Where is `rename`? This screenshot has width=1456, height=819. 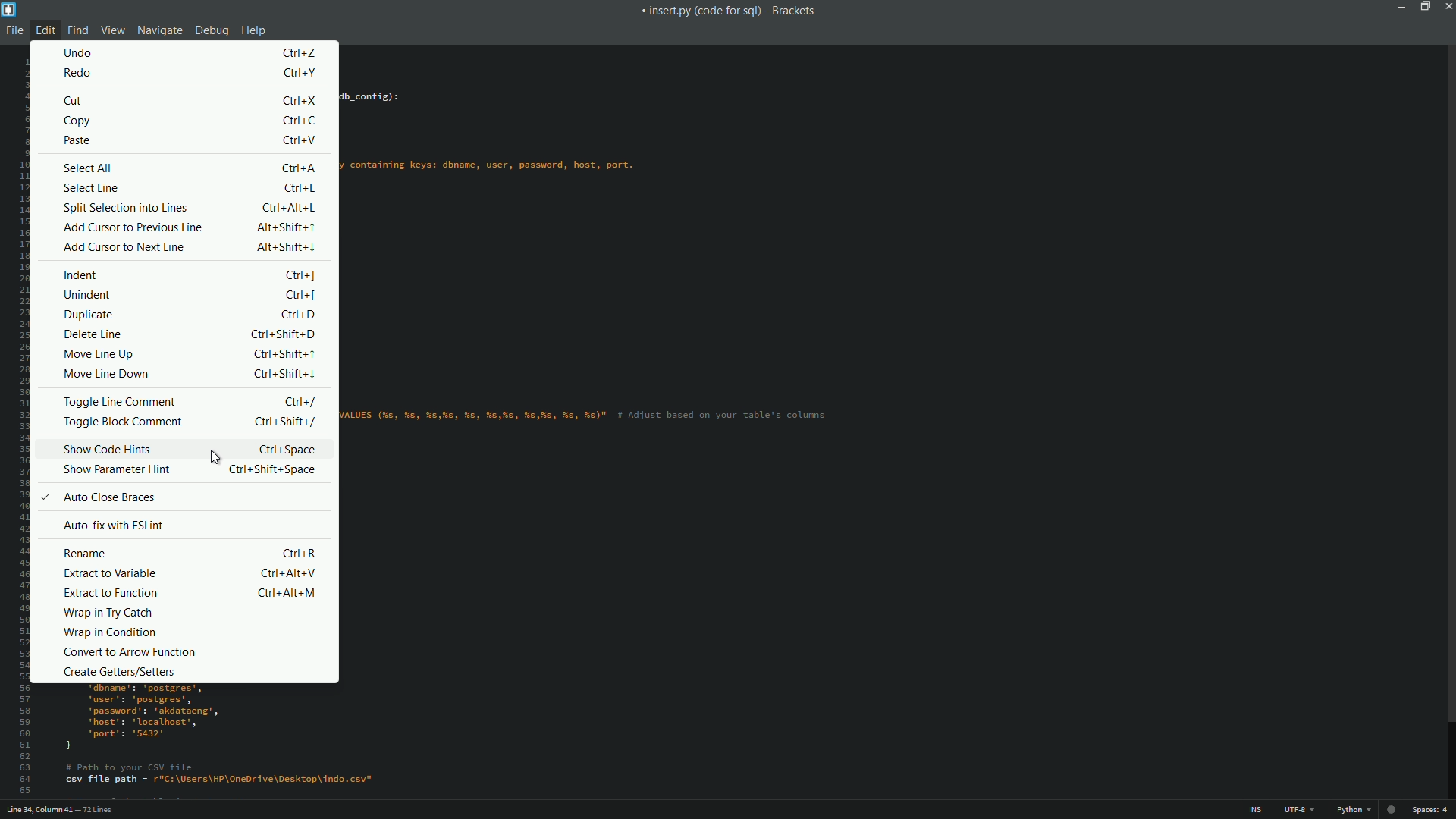 rename is located at coordinates (87, 554).